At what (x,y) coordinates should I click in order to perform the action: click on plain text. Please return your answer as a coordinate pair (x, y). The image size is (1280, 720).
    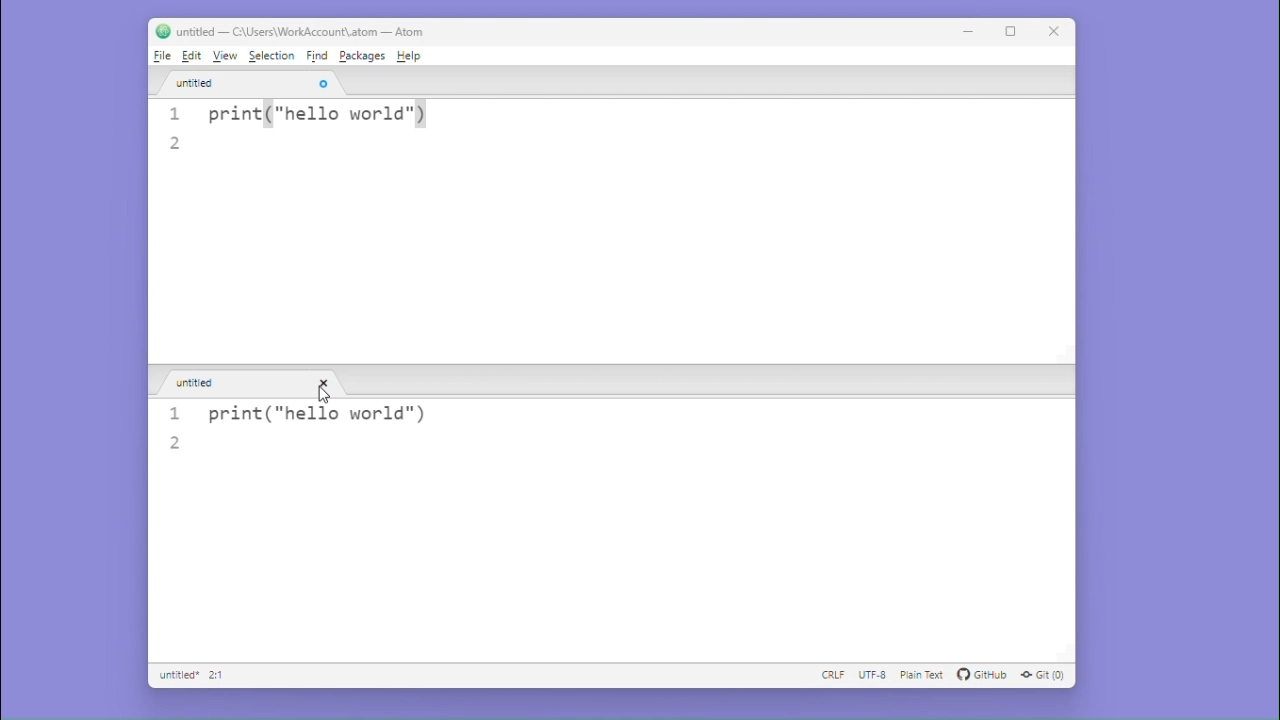
    Looking at the image, I should click on (926, 677).